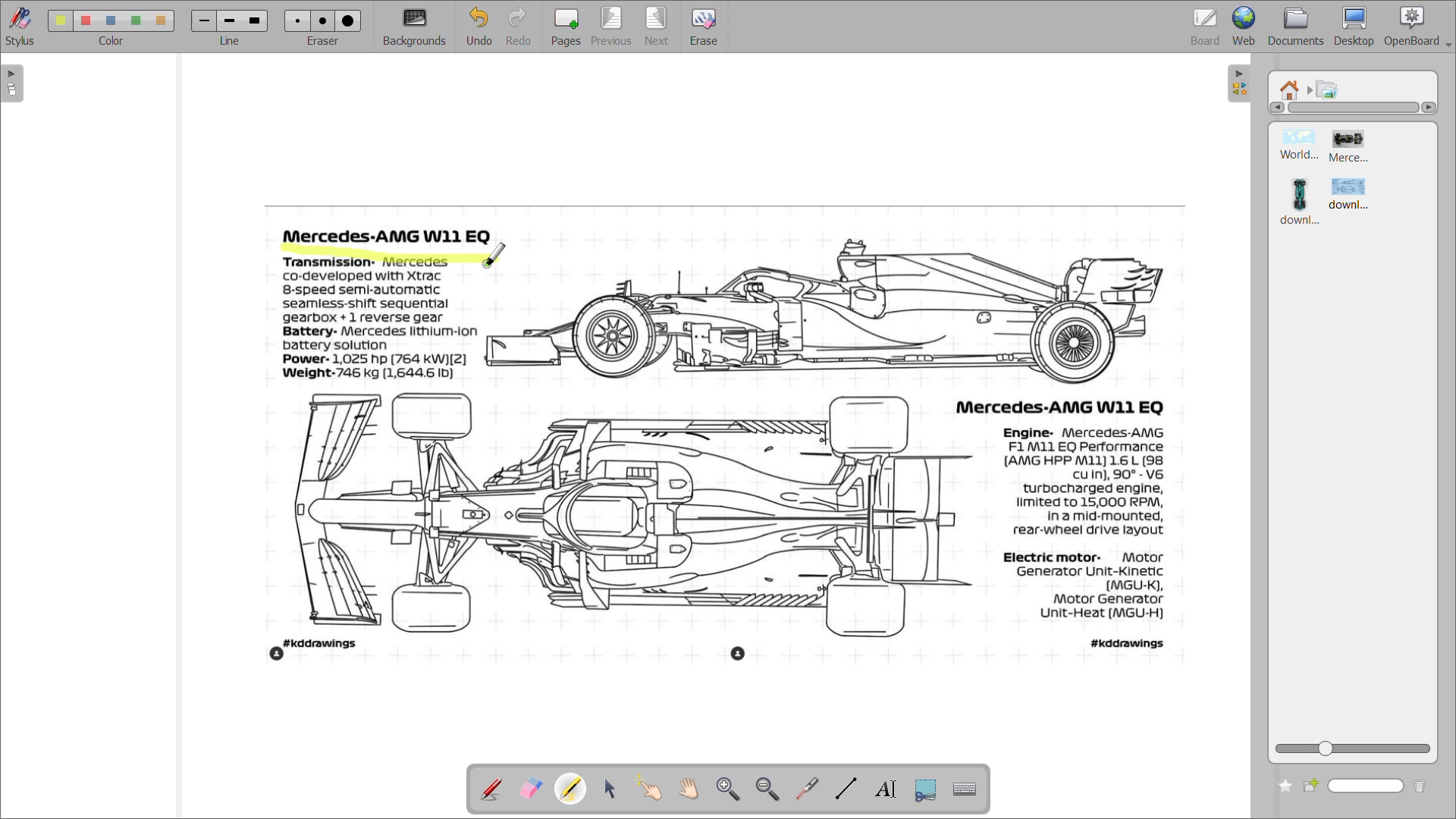 This screenshot has width=1456, height=819. Describe the element at coordinates (967, 790) in the screenshot. I see `display virtual keyboard` at that location.